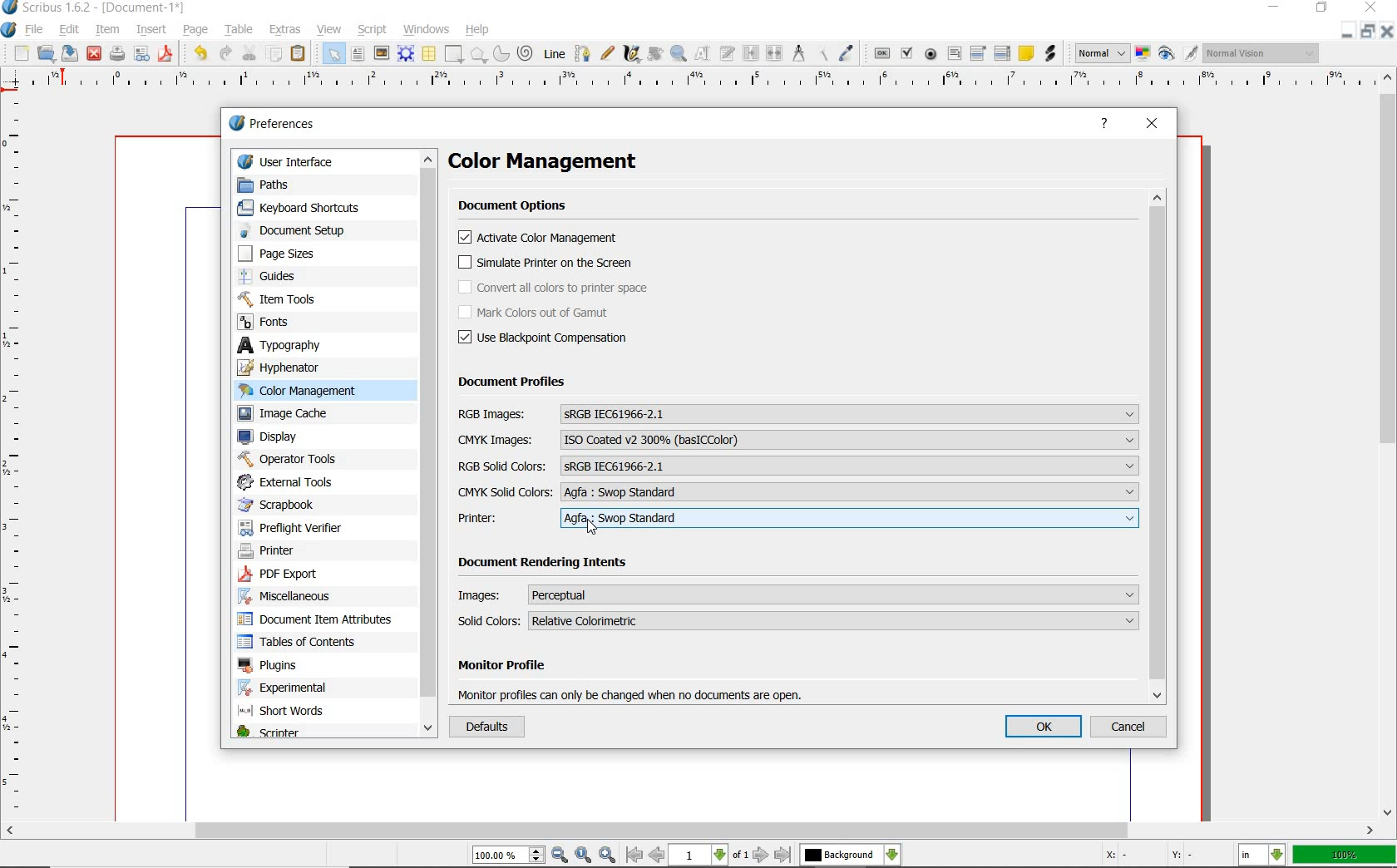 The height and width of the screenshot is (868, 1397). Describe the element at coordinates (330, 28) in the screenshot. I see `view` at that location.